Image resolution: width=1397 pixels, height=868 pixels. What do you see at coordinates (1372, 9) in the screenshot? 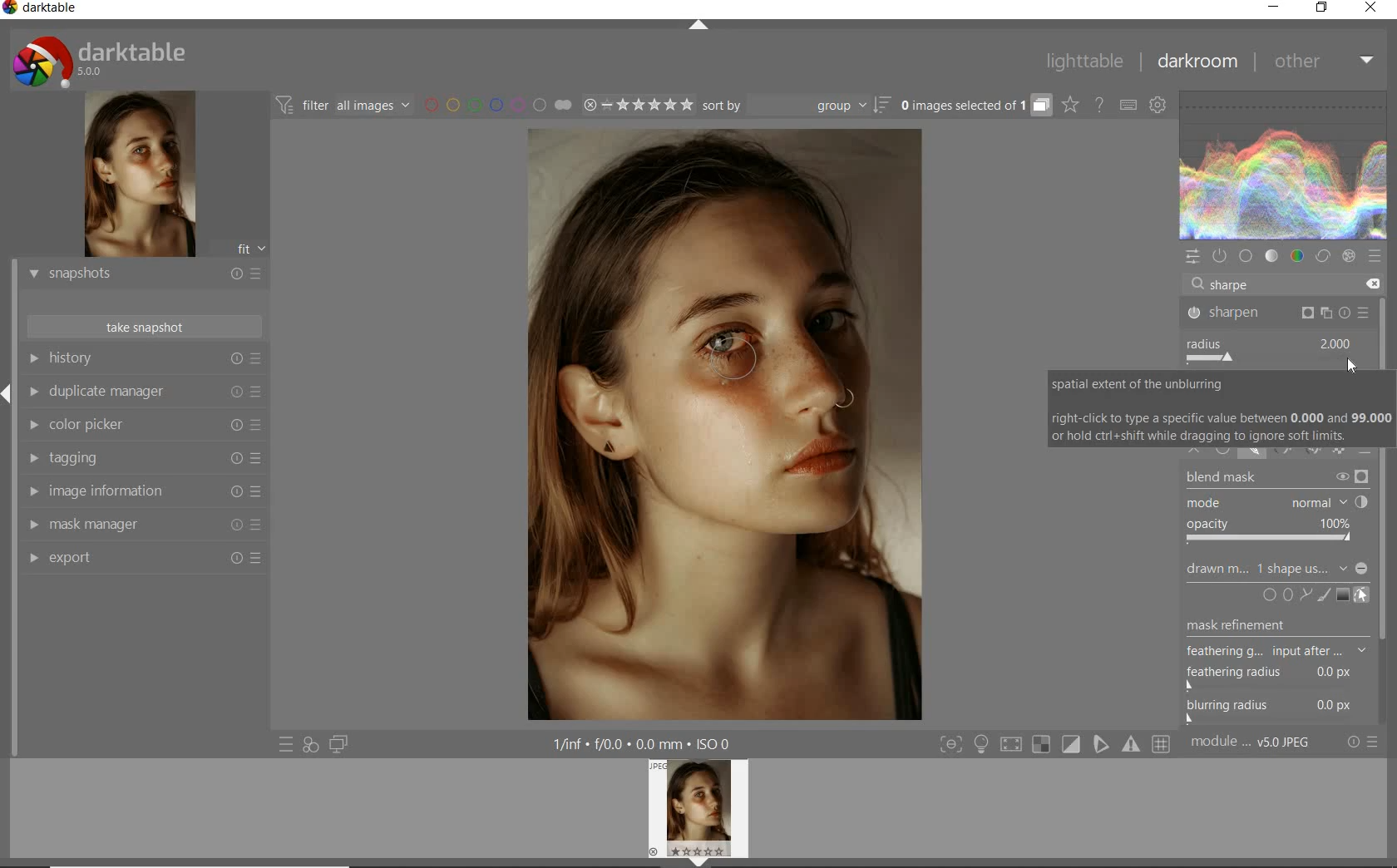
I see `close` at bounding box center [1372, 9].